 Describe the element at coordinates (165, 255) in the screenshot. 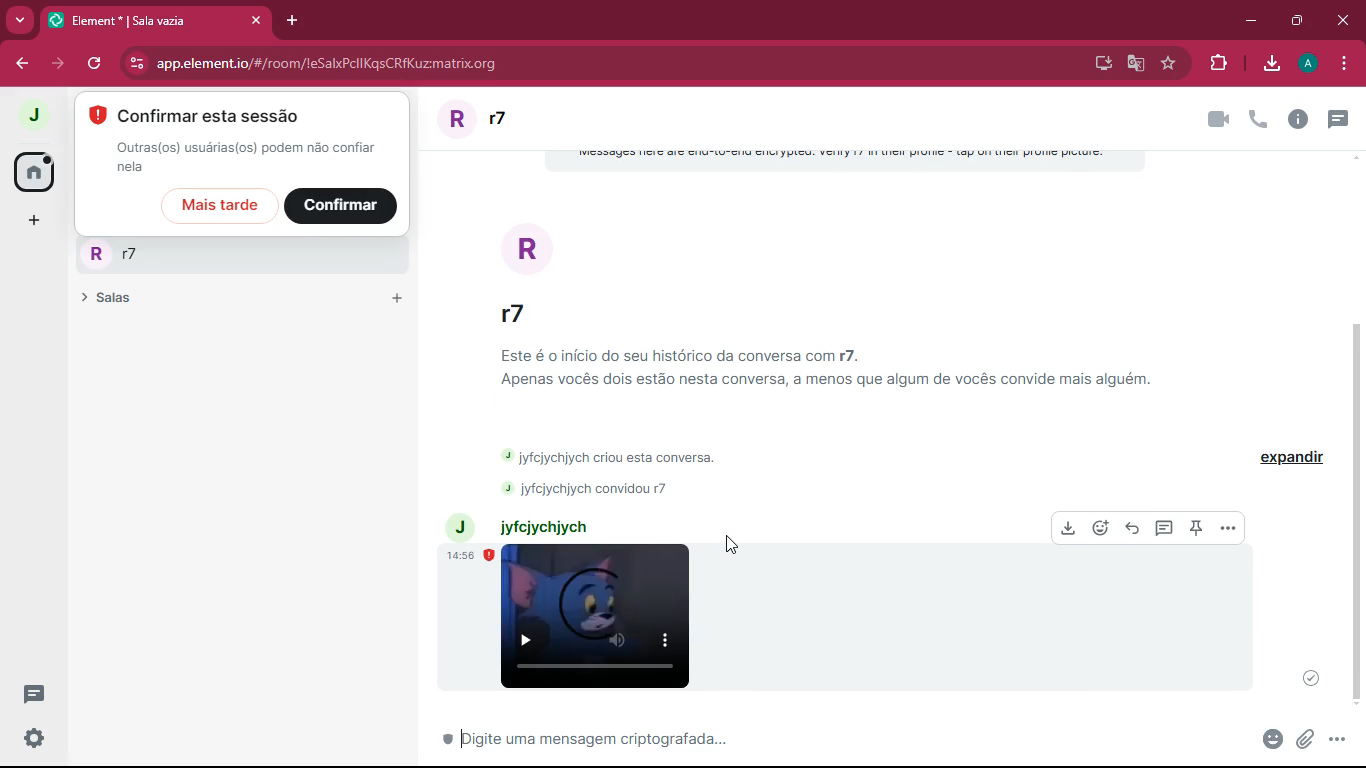

I see `rr7` at that location.